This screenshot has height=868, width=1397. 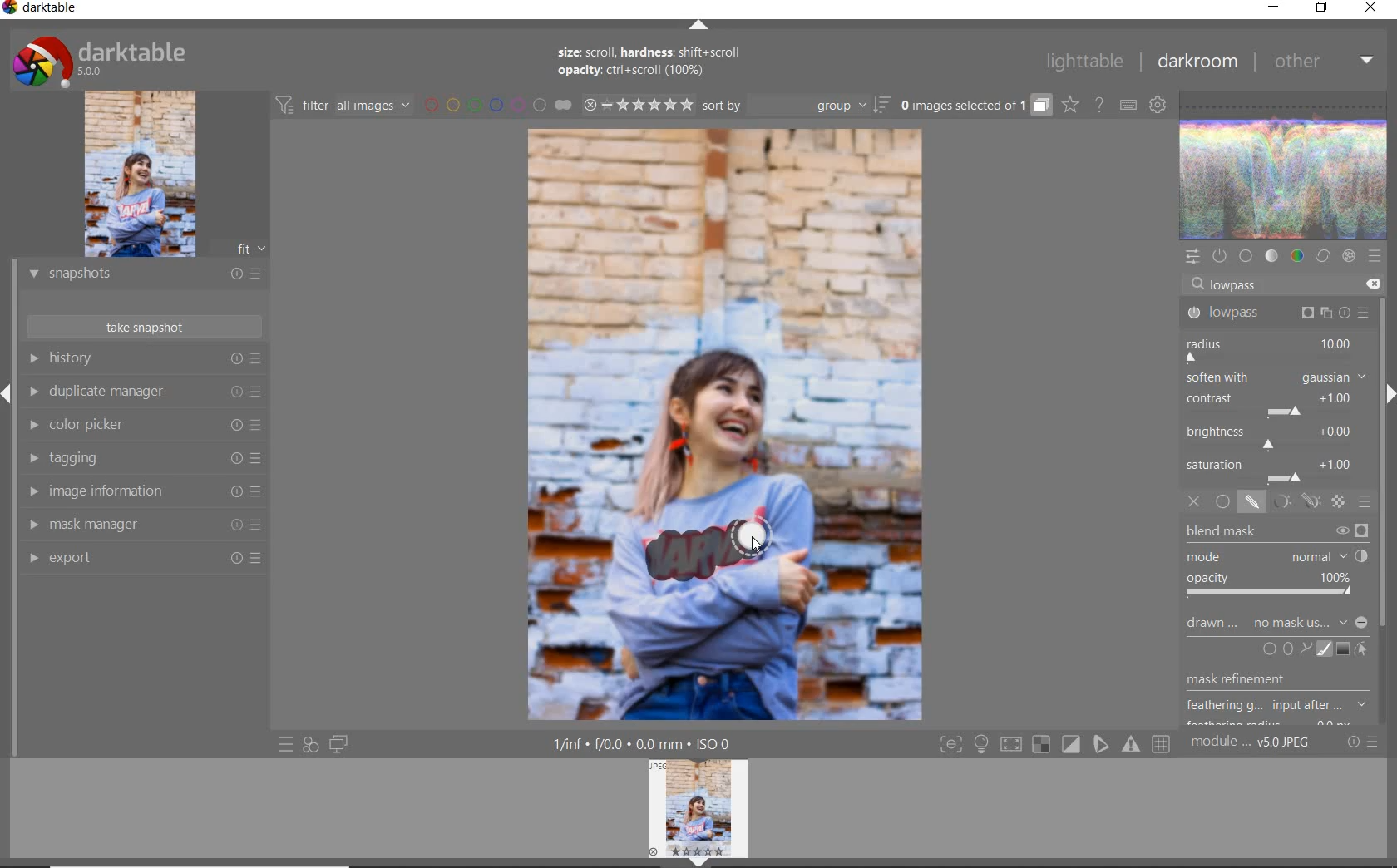 I want to click on snapshots, so click(x=144, y=277).